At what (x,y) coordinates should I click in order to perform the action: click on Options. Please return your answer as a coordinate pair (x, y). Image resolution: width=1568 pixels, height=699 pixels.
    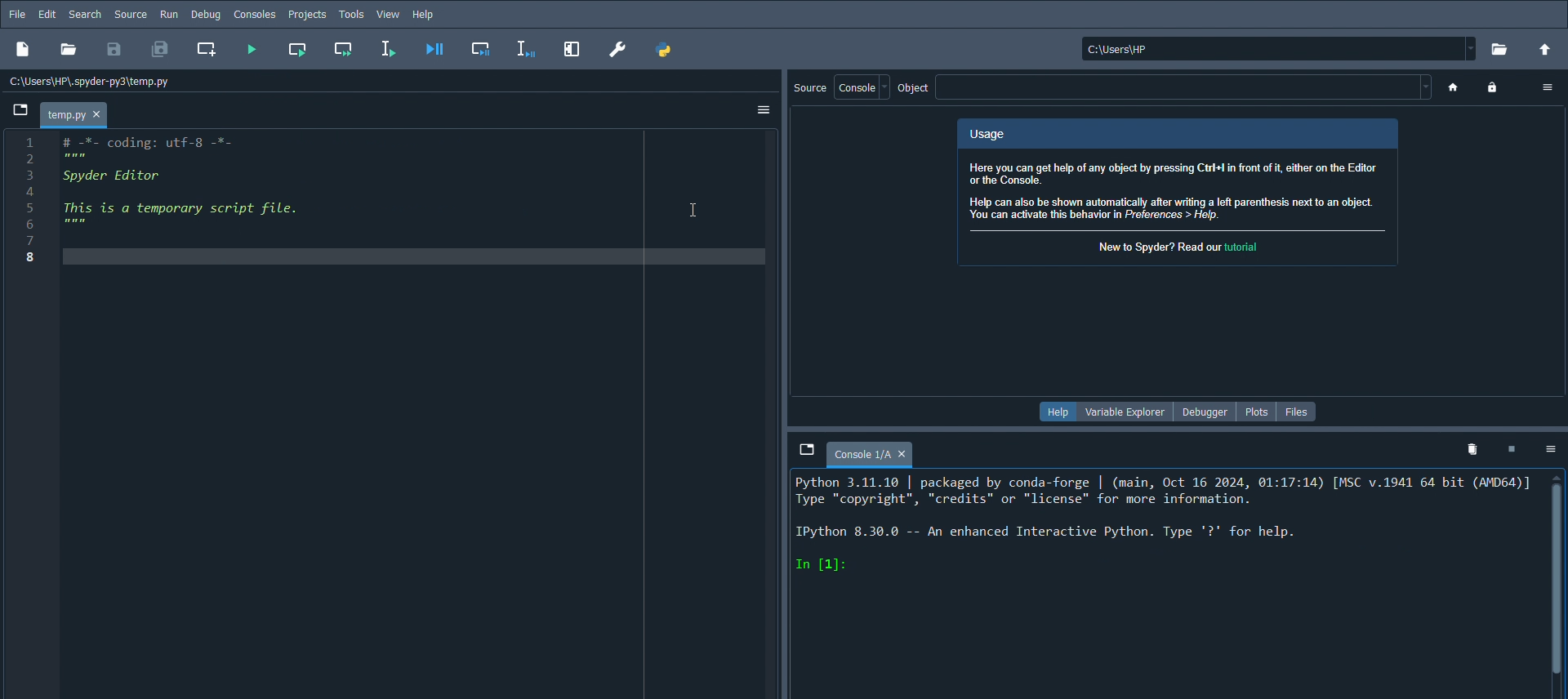
    Looking at the image, I should click on (763, 111).